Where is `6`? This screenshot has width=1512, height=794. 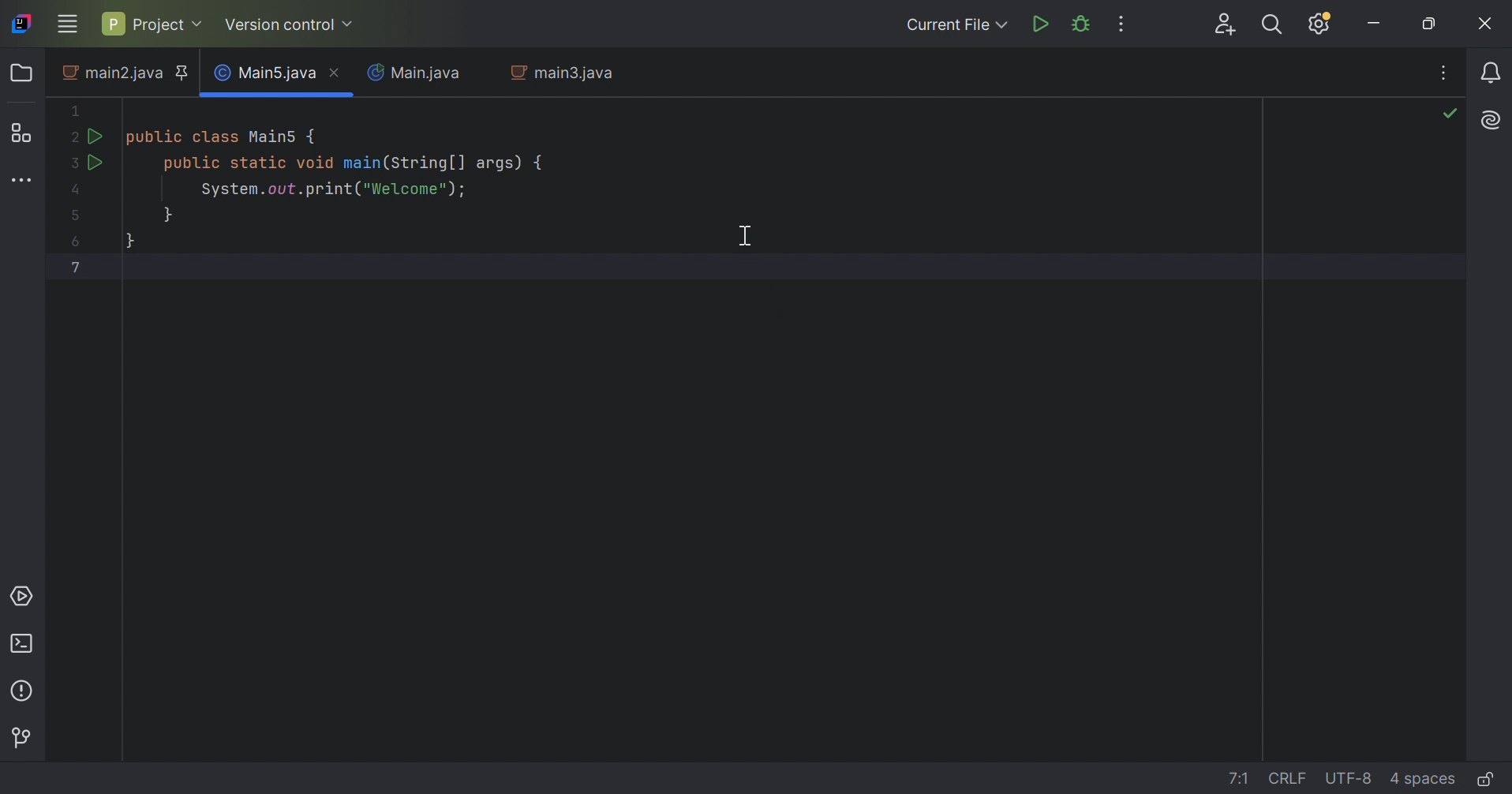
6 is located at coordinates (70, 242).